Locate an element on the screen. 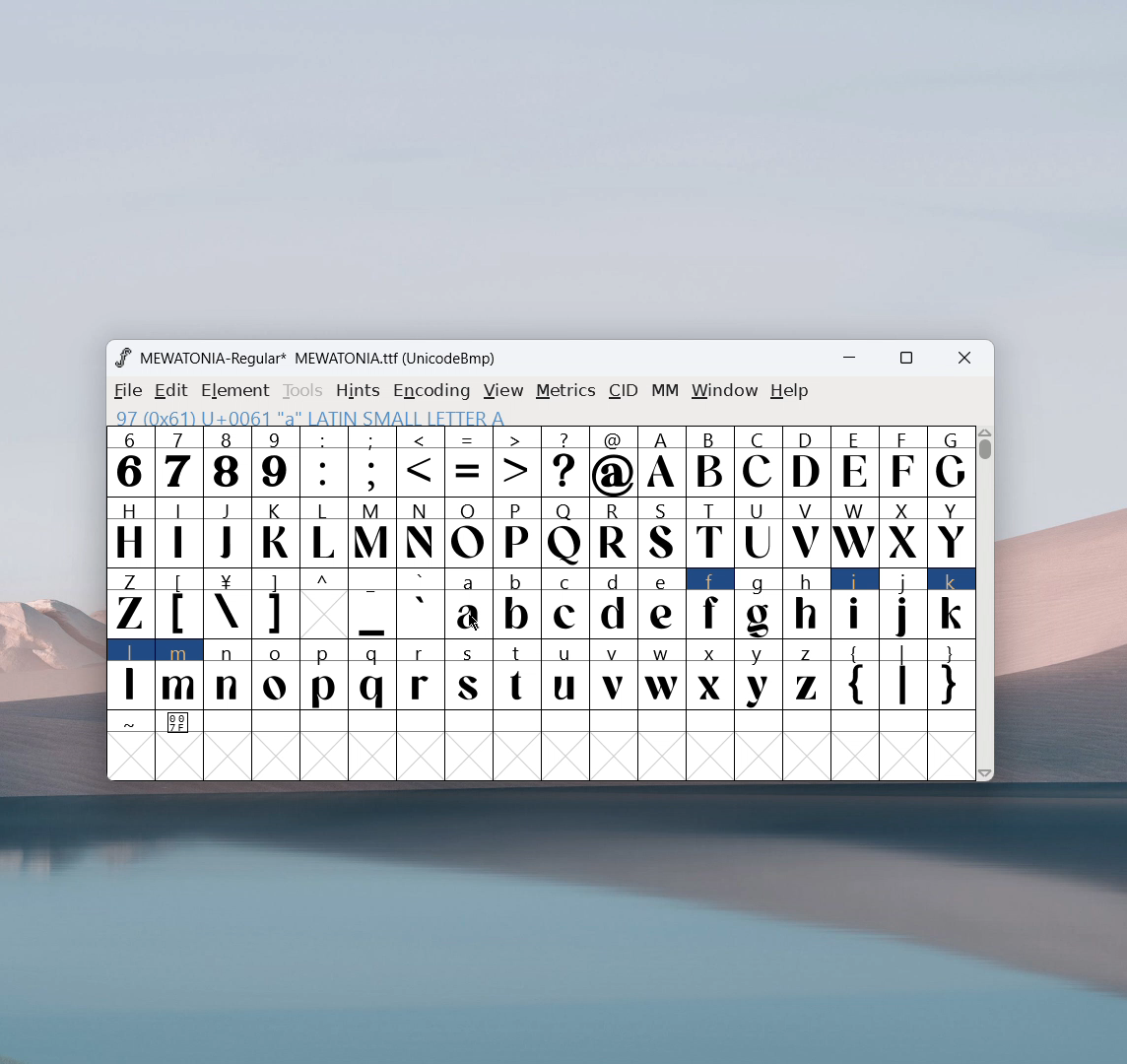  r is located at coordinates (420, 676).